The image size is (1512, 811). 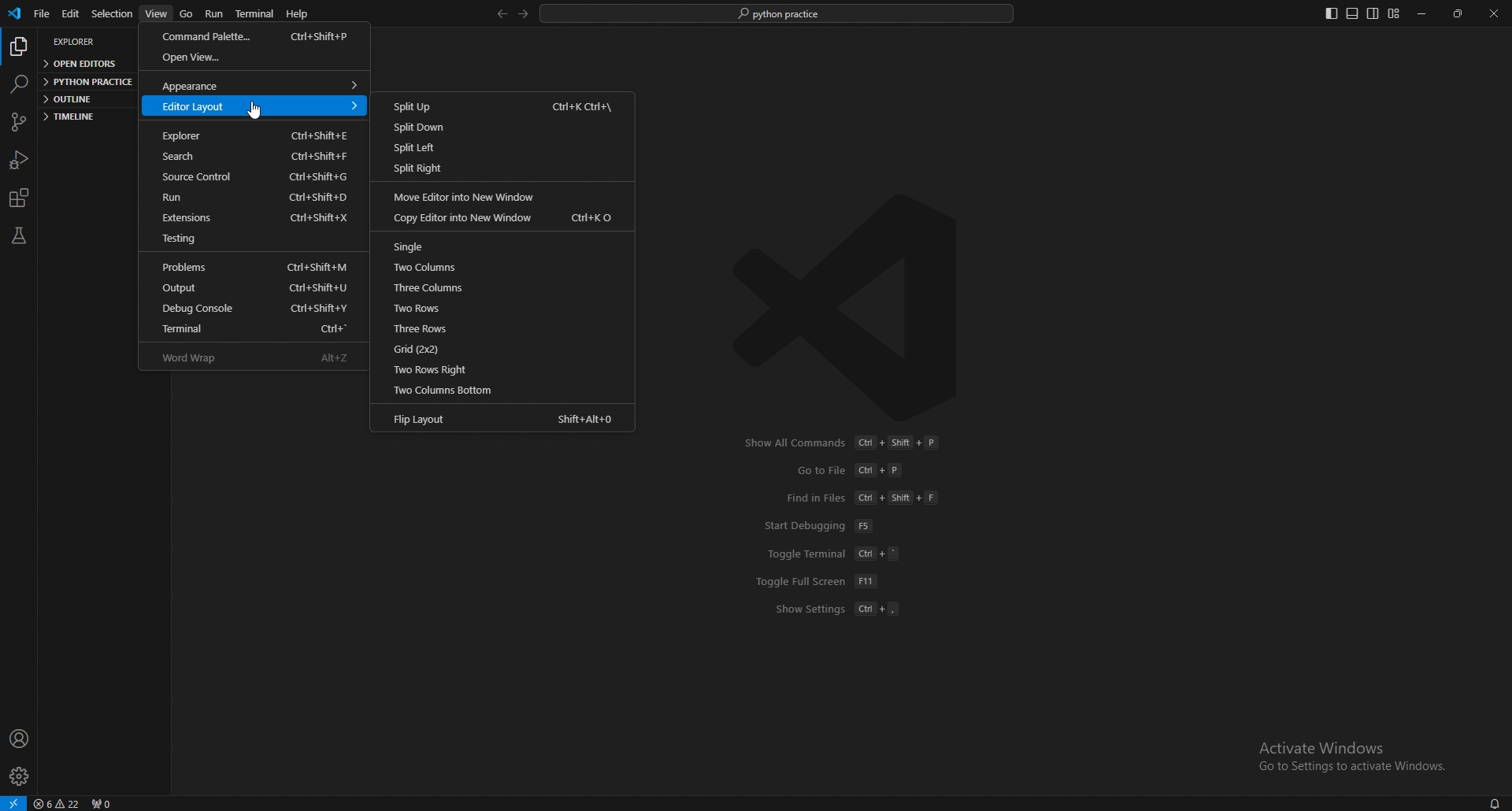 What do you see at coordinates (498, 169) in the screenshot?
I see `split right` at bounding box center [498, 169].